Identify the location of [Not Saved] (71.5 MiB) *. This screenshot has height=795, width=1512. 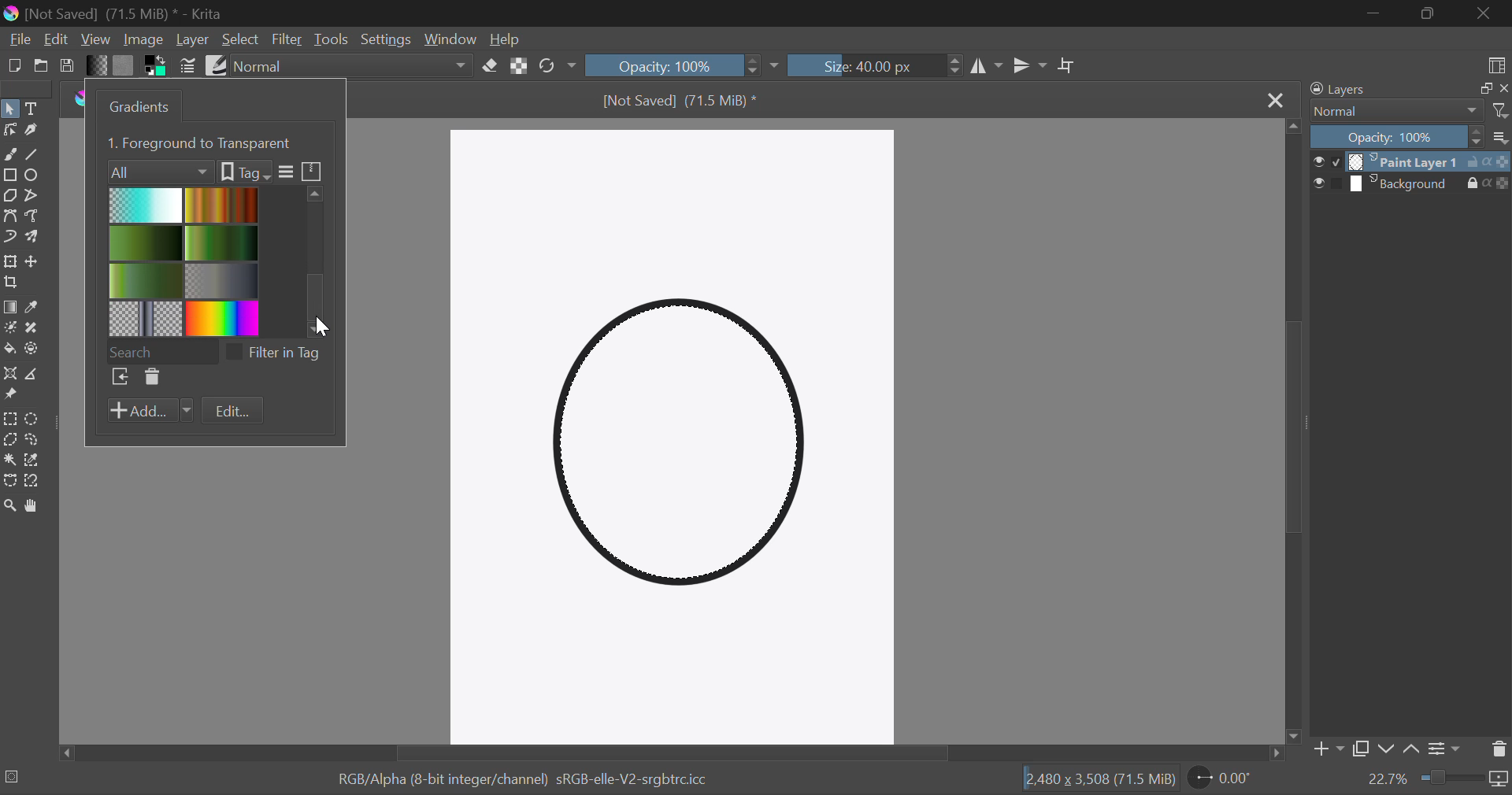
(680, 102).